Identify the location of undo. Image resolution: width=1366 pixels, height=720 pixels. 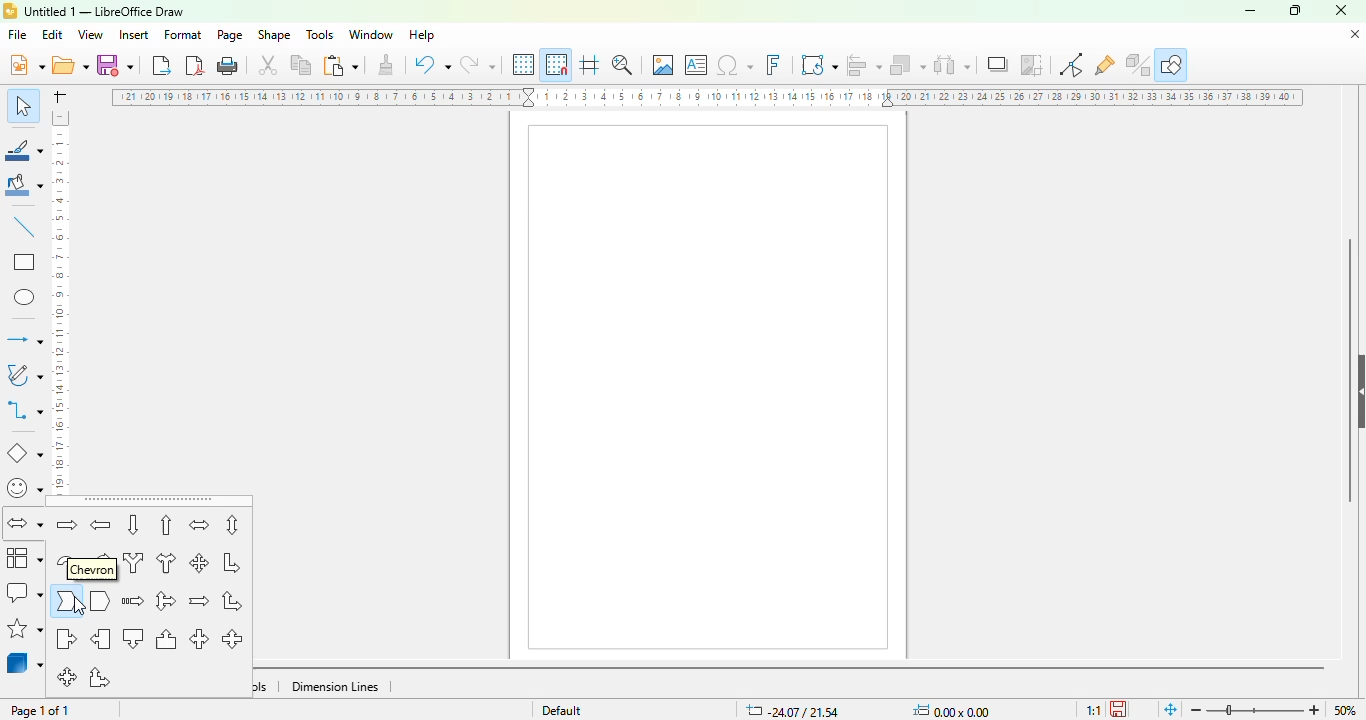
(432, 64).